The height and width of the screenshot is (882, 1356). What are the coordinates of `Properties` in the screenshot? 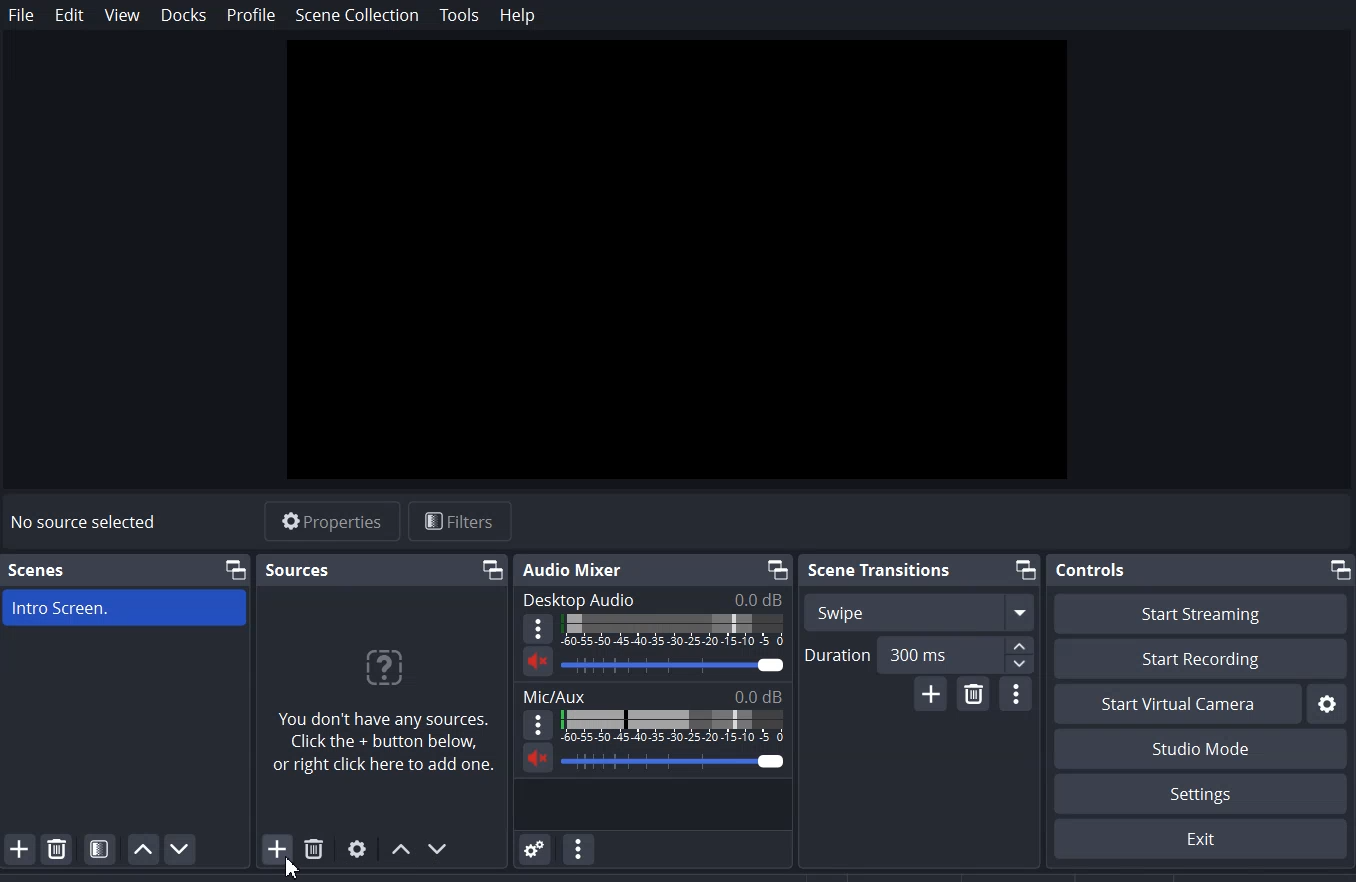 It's located at (331, 520).